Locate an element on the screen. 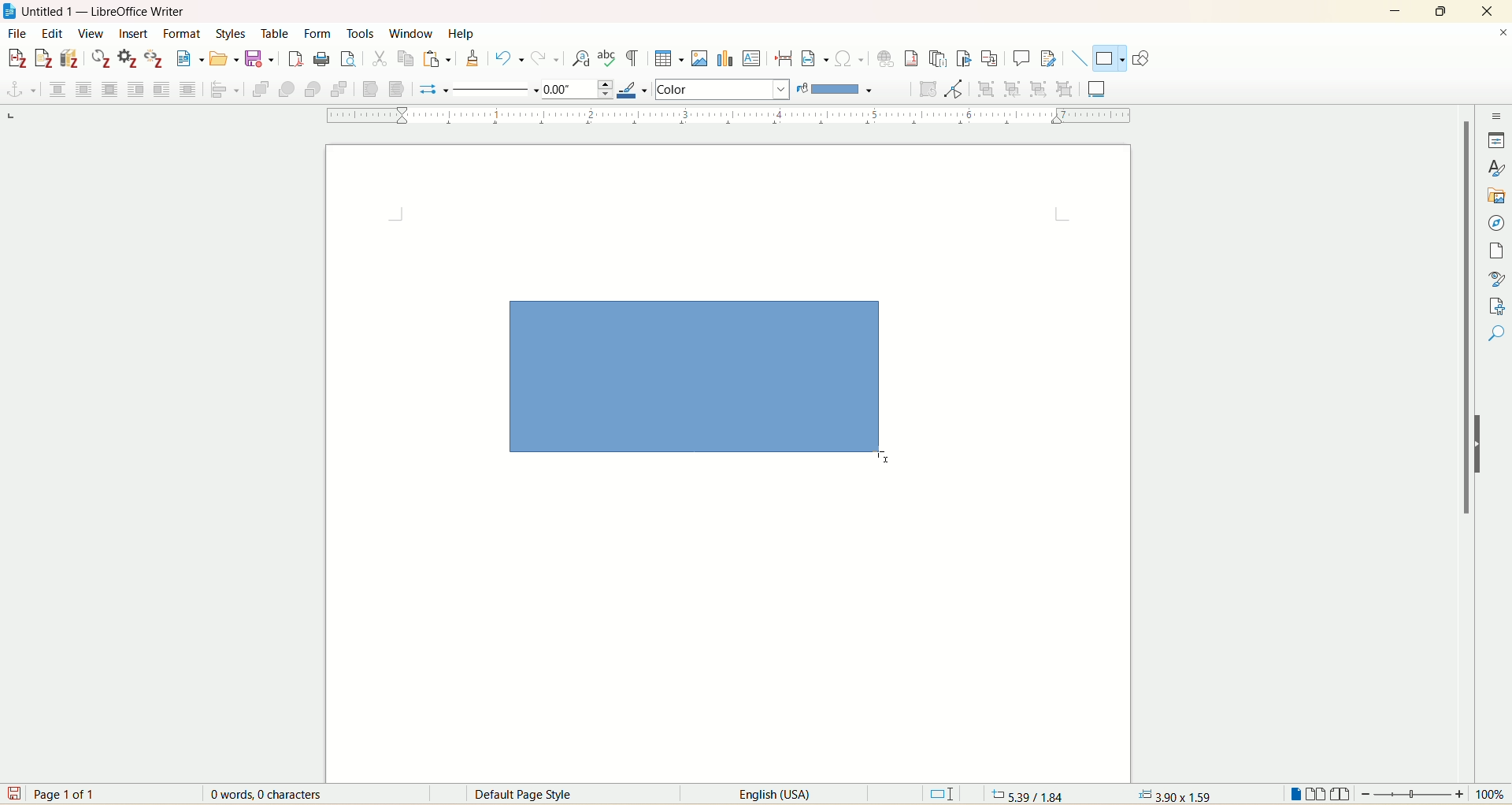 The height and width of the screenshot is (805, 1512). spell check is located at coordinates (608, 59).